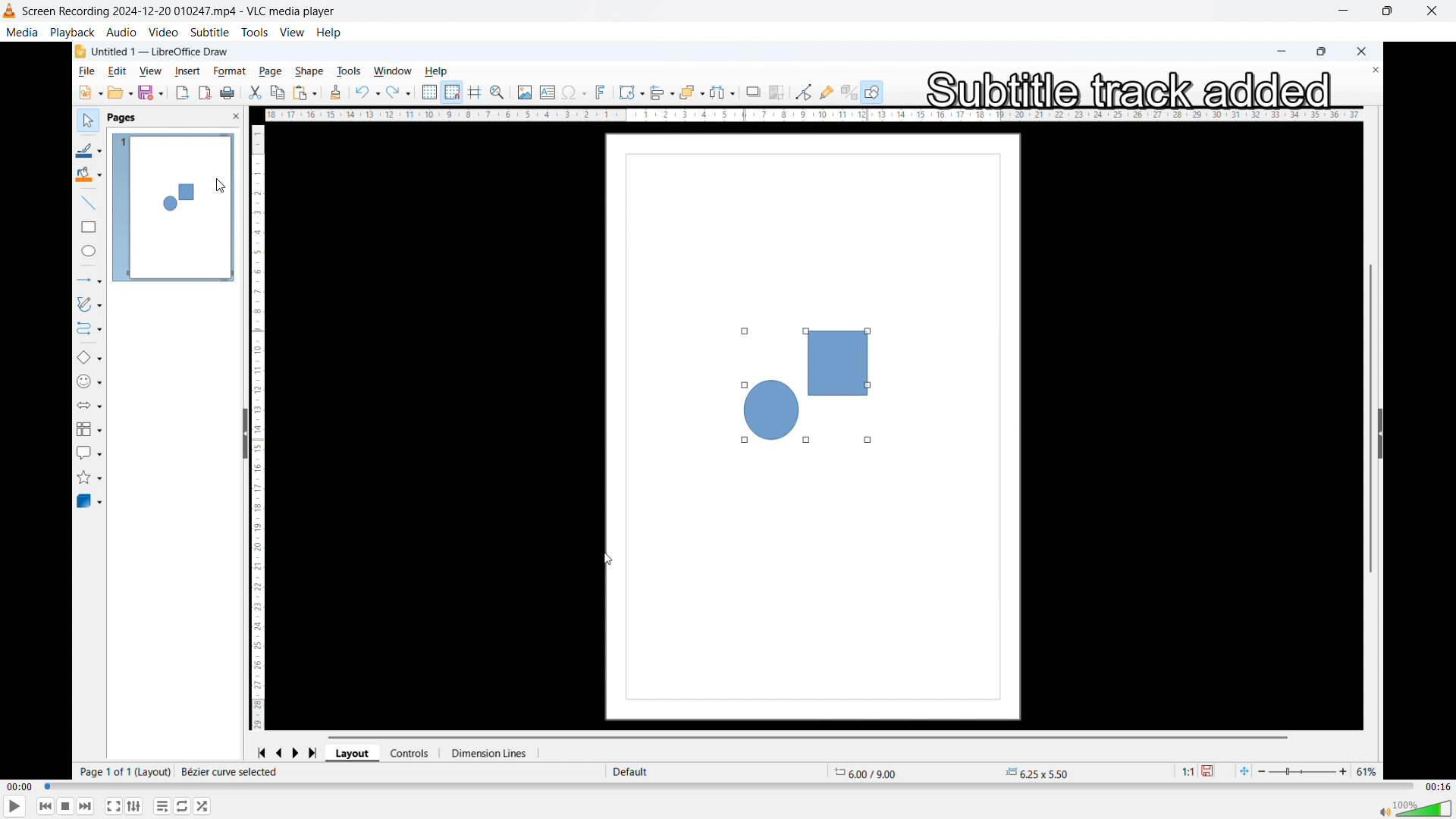  What do you see at coordinates (492, 753) in the screenshot?
I see `dimension lines` at bounding box center [492, 753].